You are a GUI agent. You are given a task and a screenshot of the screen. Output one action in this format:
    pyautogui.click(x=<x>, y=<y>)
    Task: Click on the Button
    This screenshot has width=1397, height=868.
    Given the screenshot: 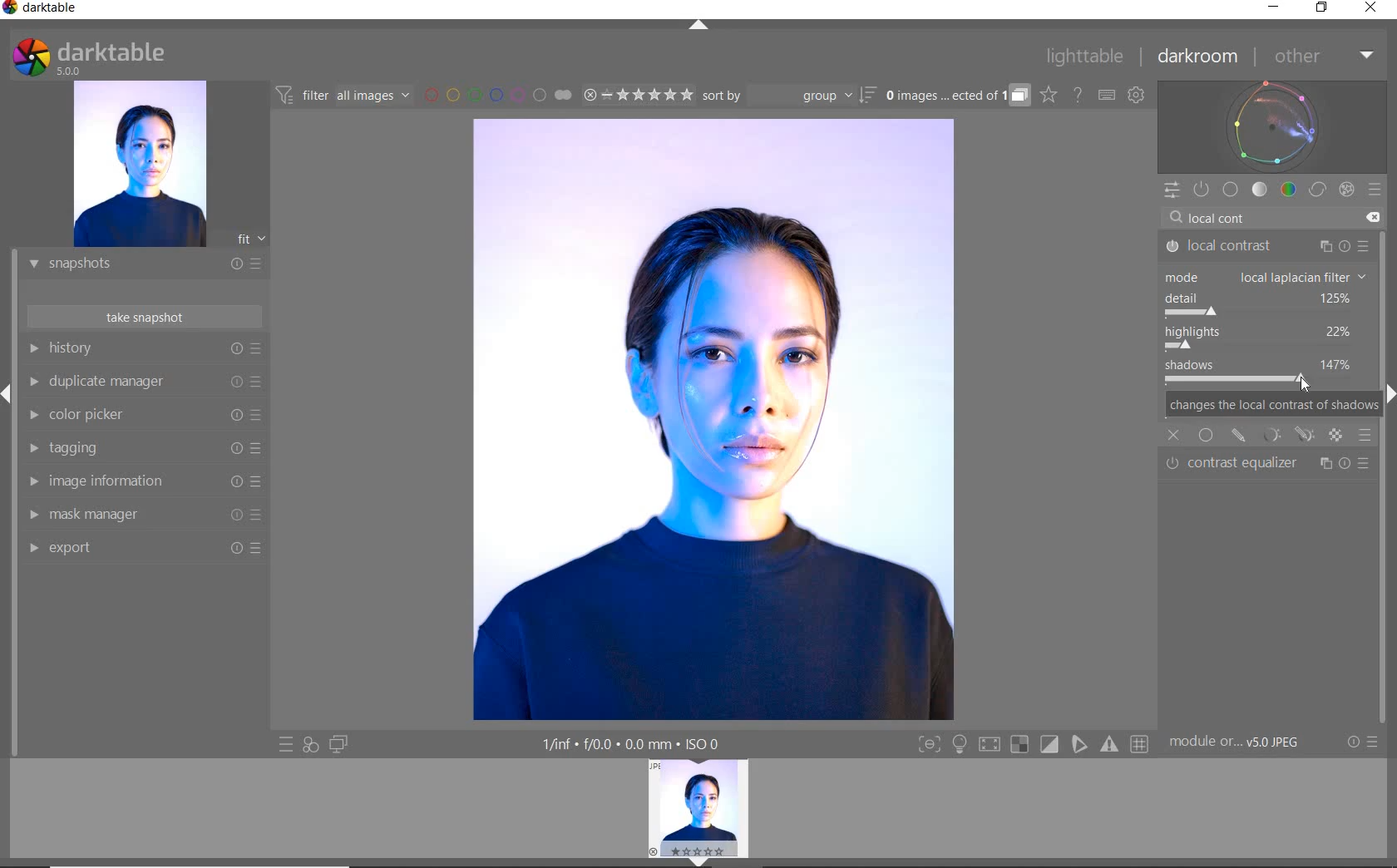 What is the action you would take?
    pyautogui.click(x=1050, y=745)
    